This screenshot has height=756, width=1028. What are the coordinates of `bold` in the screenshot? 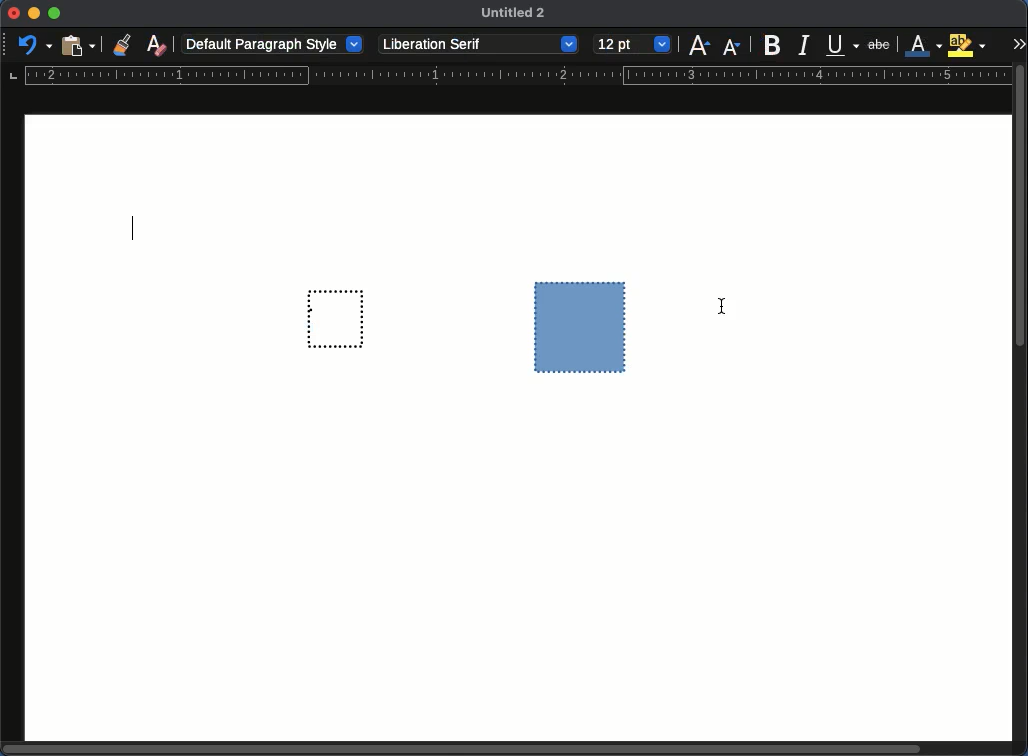 It's located at (772, 45).